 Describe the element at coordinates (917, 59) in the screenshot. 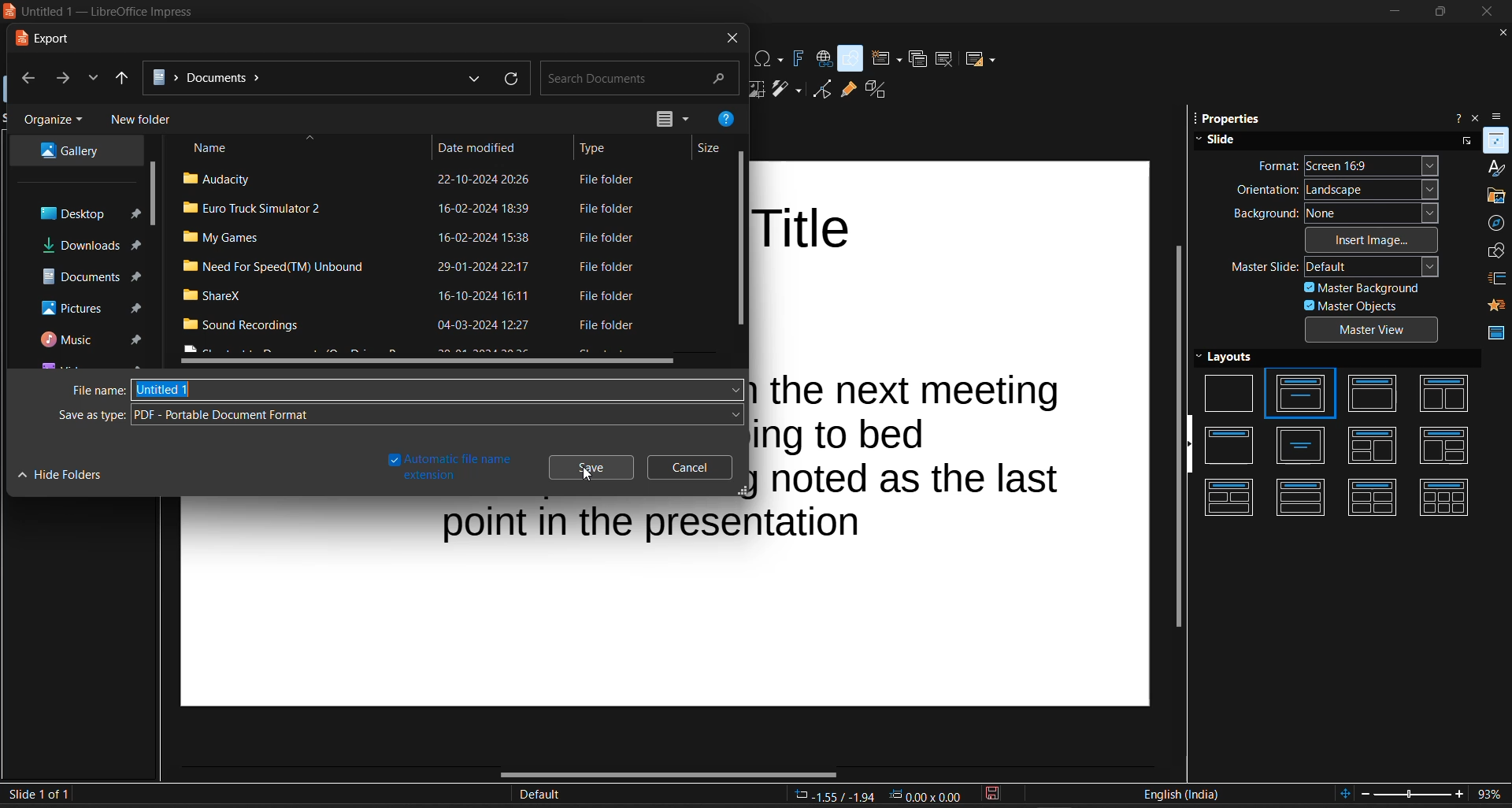

I see `duplicate slide` at that location.